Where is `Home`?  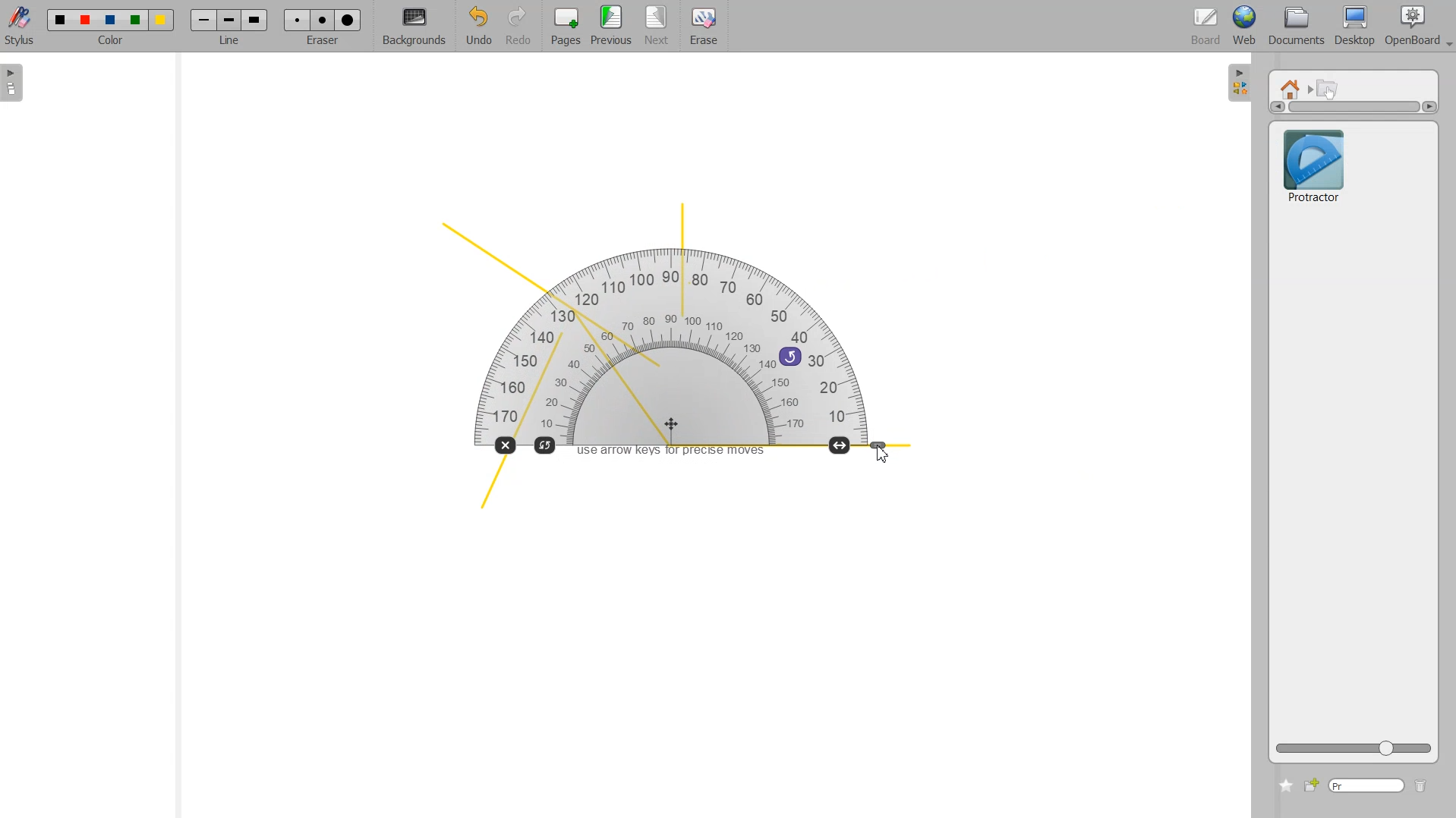 Home is located at coordinates (1293, 88).